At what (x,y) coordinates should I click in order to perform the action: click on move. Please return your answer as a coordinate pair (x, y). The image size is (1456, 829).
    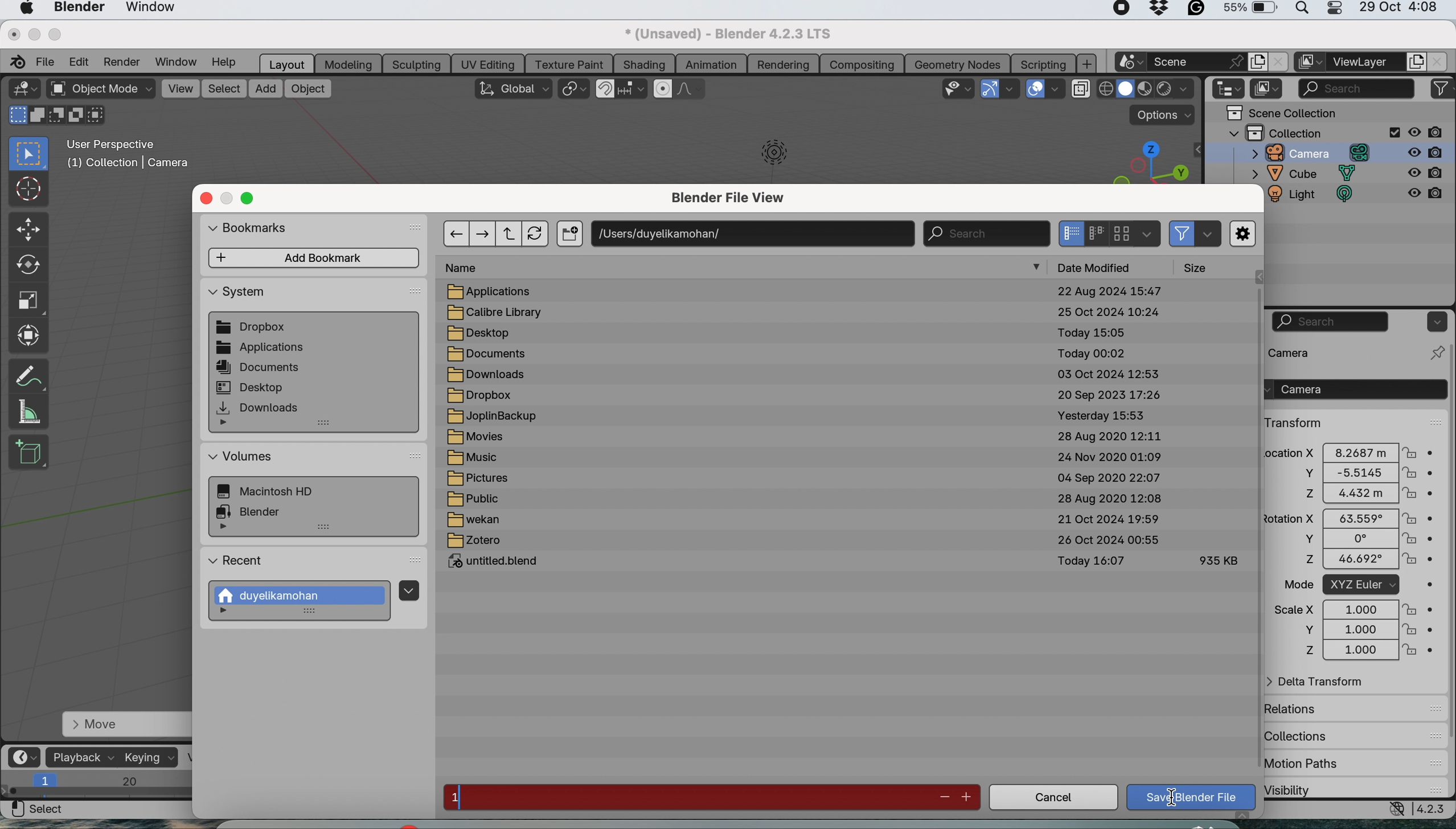
    Looking at the image, I should click on (124, 725).